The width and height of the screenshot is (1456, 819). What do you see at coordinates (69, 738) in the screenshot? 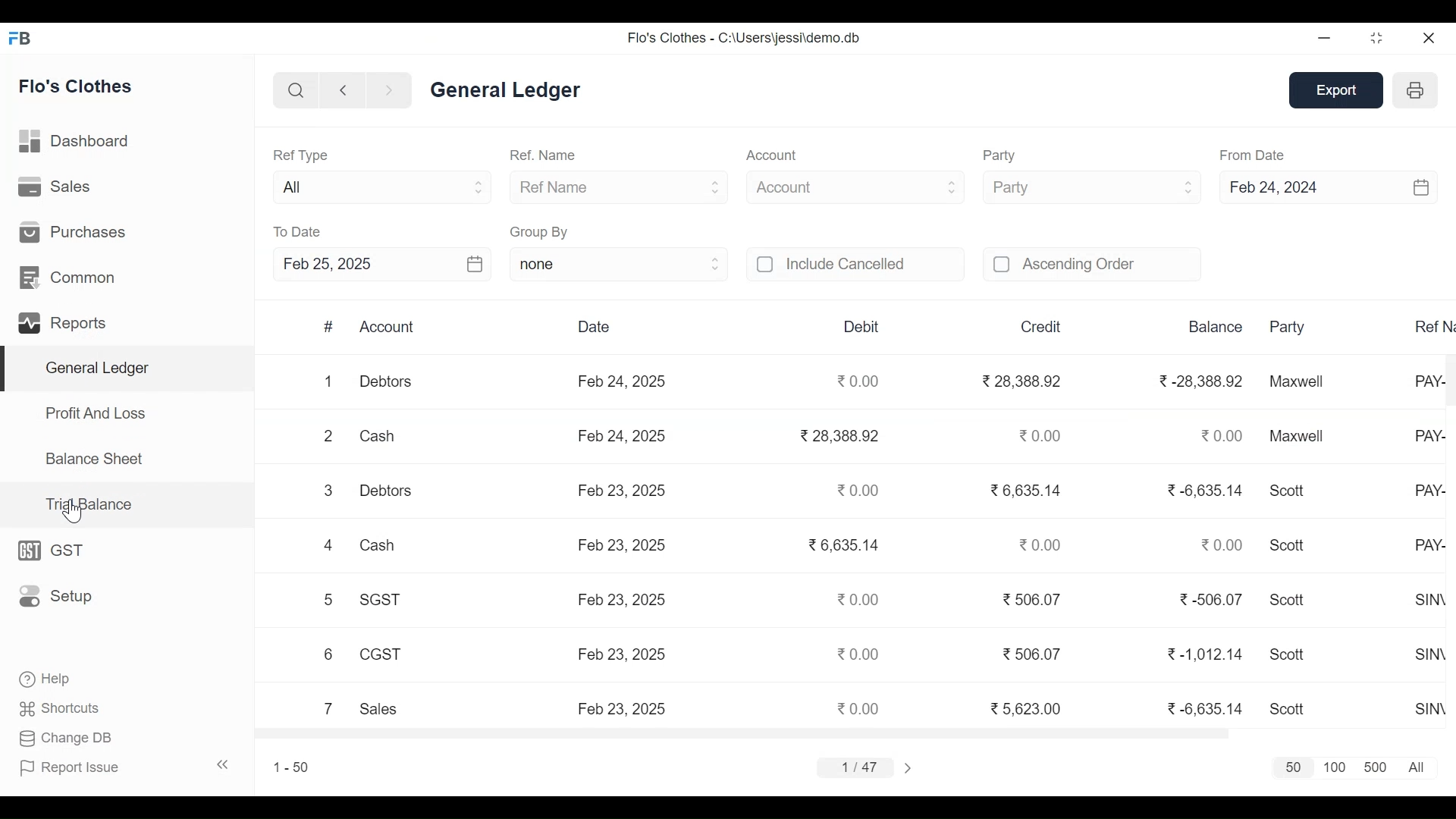
I see `Change DB` at bounding box center [69, 738].